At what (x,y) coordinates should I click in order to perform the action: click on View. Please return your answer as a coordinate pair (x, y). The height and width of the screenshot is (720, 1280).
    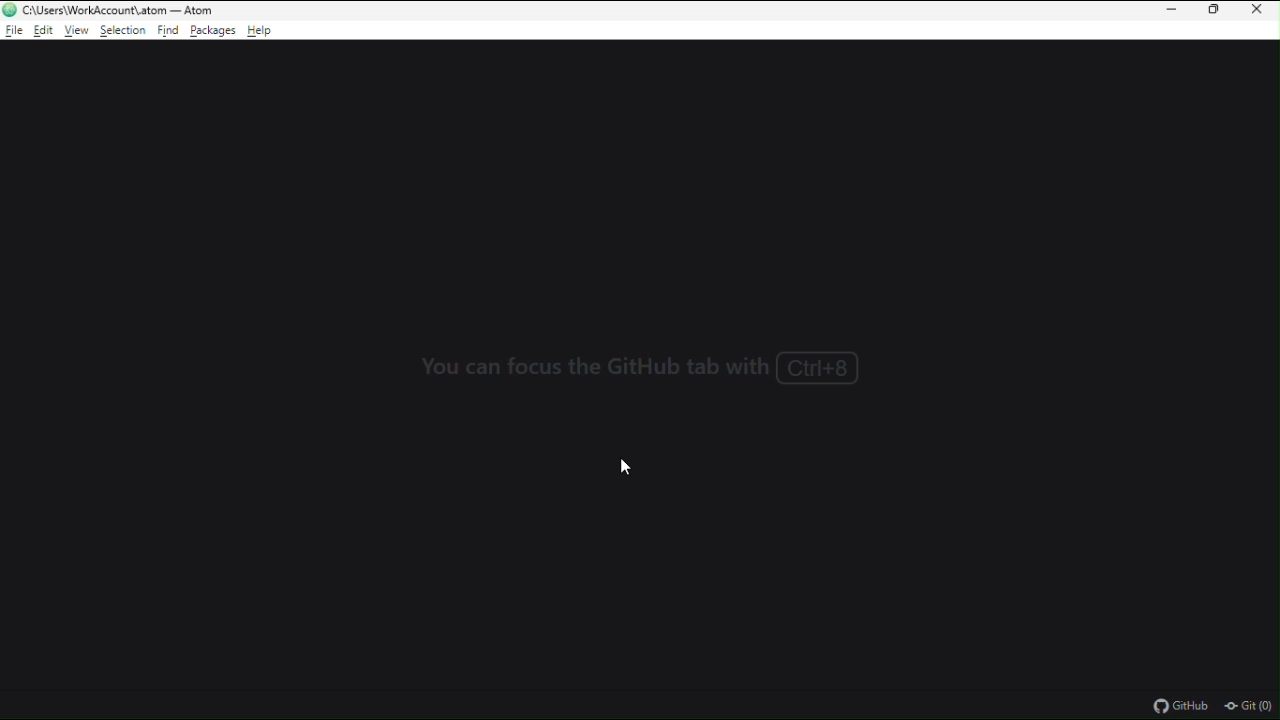
    Looking at the image, I should click on (78, 31).